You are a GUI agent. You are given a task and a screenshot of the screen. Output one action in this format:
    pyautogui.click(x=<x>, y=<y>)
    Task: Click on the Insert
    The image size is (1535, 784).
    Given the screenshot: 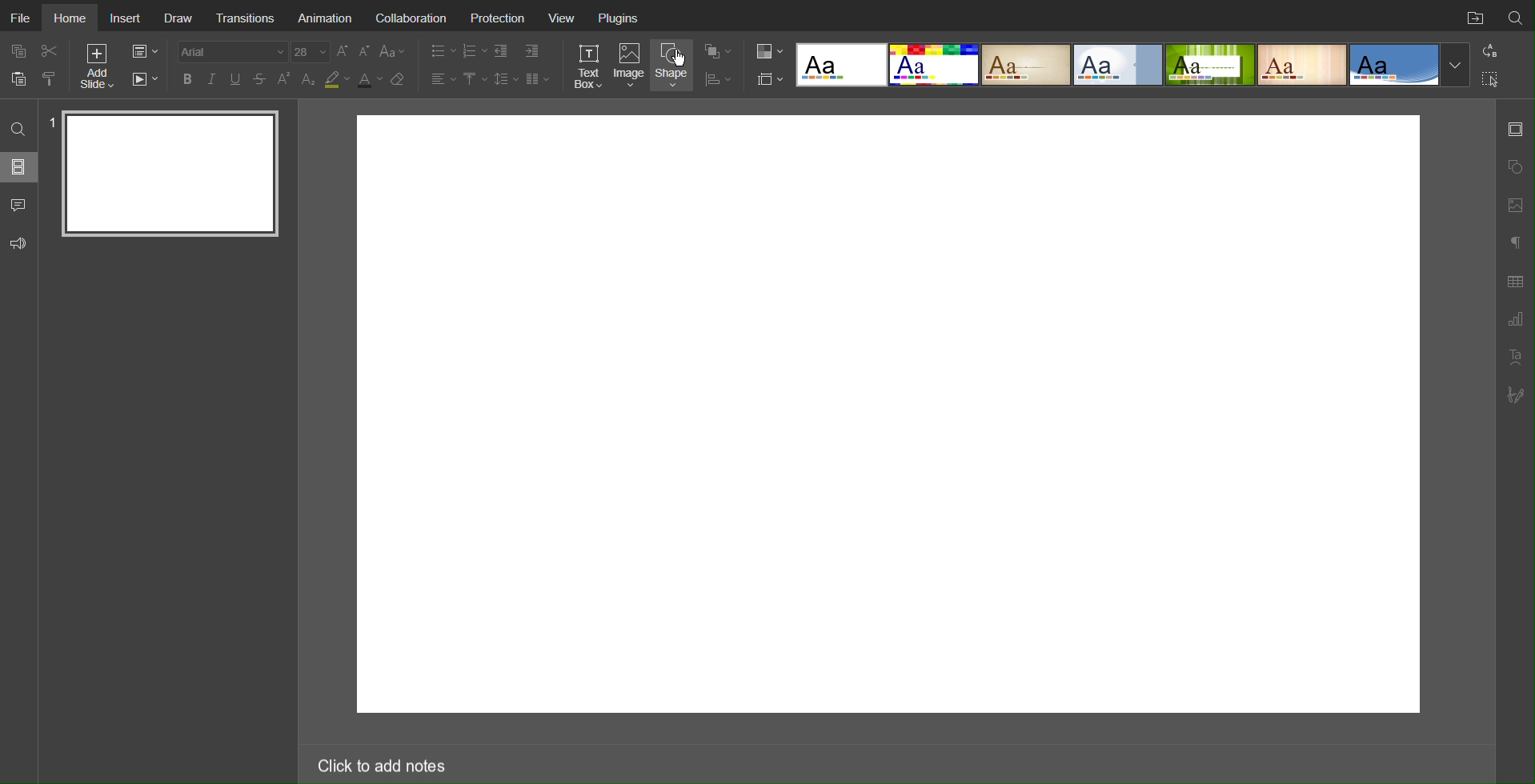 What is the action you would take?
    pyautogui.click(x=126, y=16)
    